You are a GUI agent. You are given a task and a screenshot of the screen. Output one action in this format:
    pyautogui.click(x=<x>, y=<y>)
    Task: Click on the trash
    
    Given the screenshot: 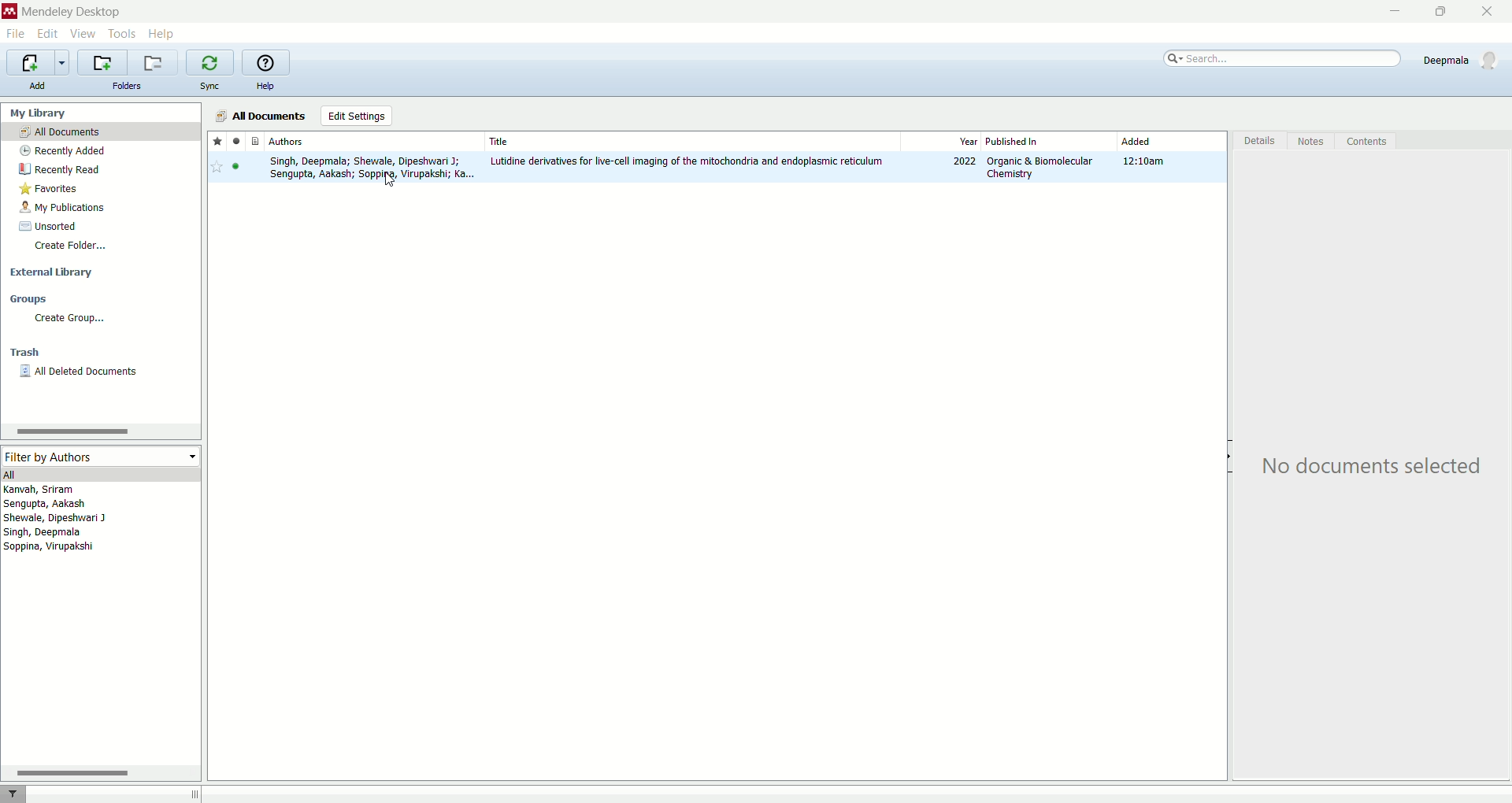 What is the action you would take?
    pyautogui.click(x=101, y=352)
    